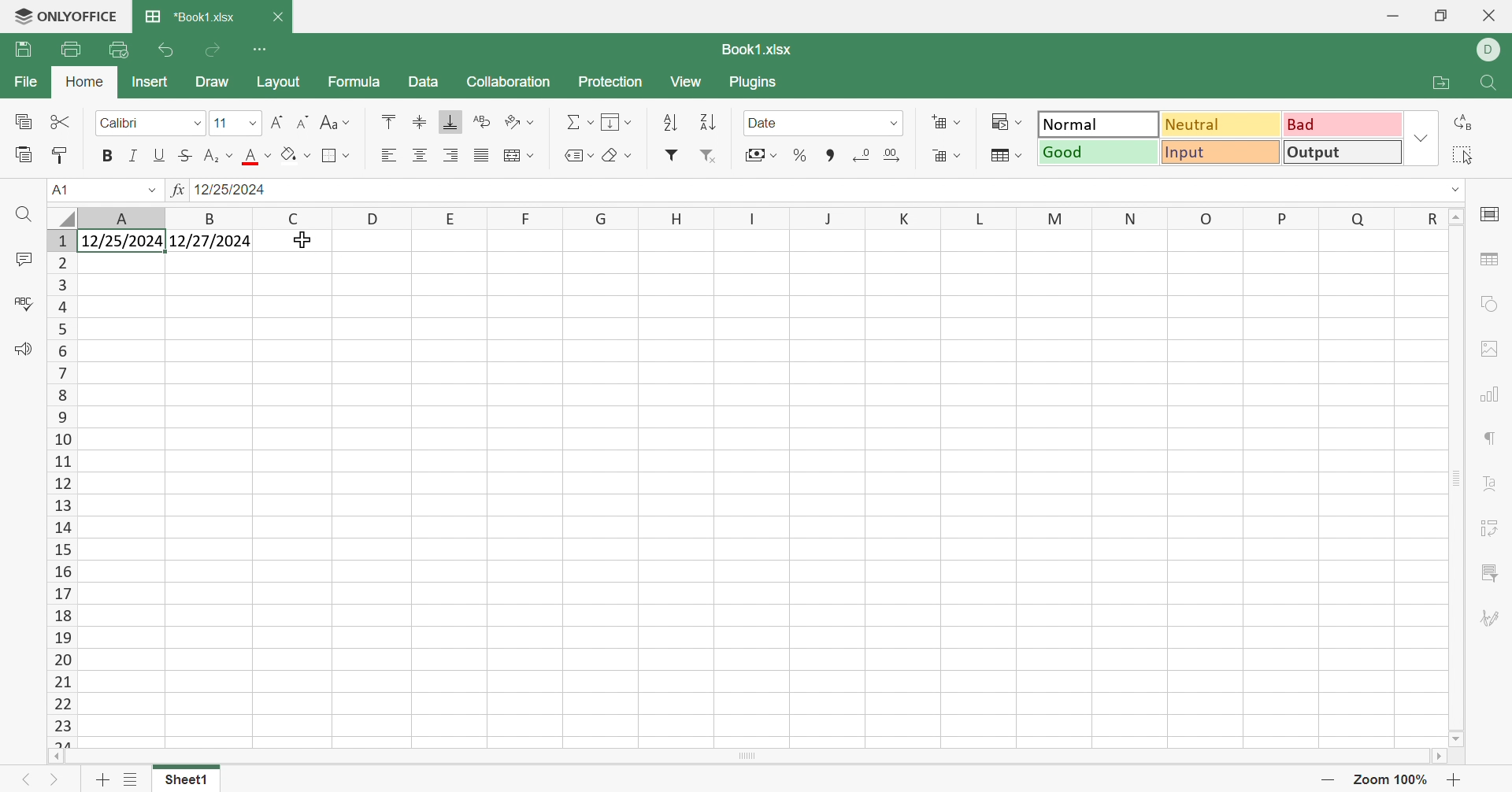 The width and height of the screenshot is (1512, 792). Describe the element at coordinates (755, 85) in the screenshot. I see `Plugins` at that location.